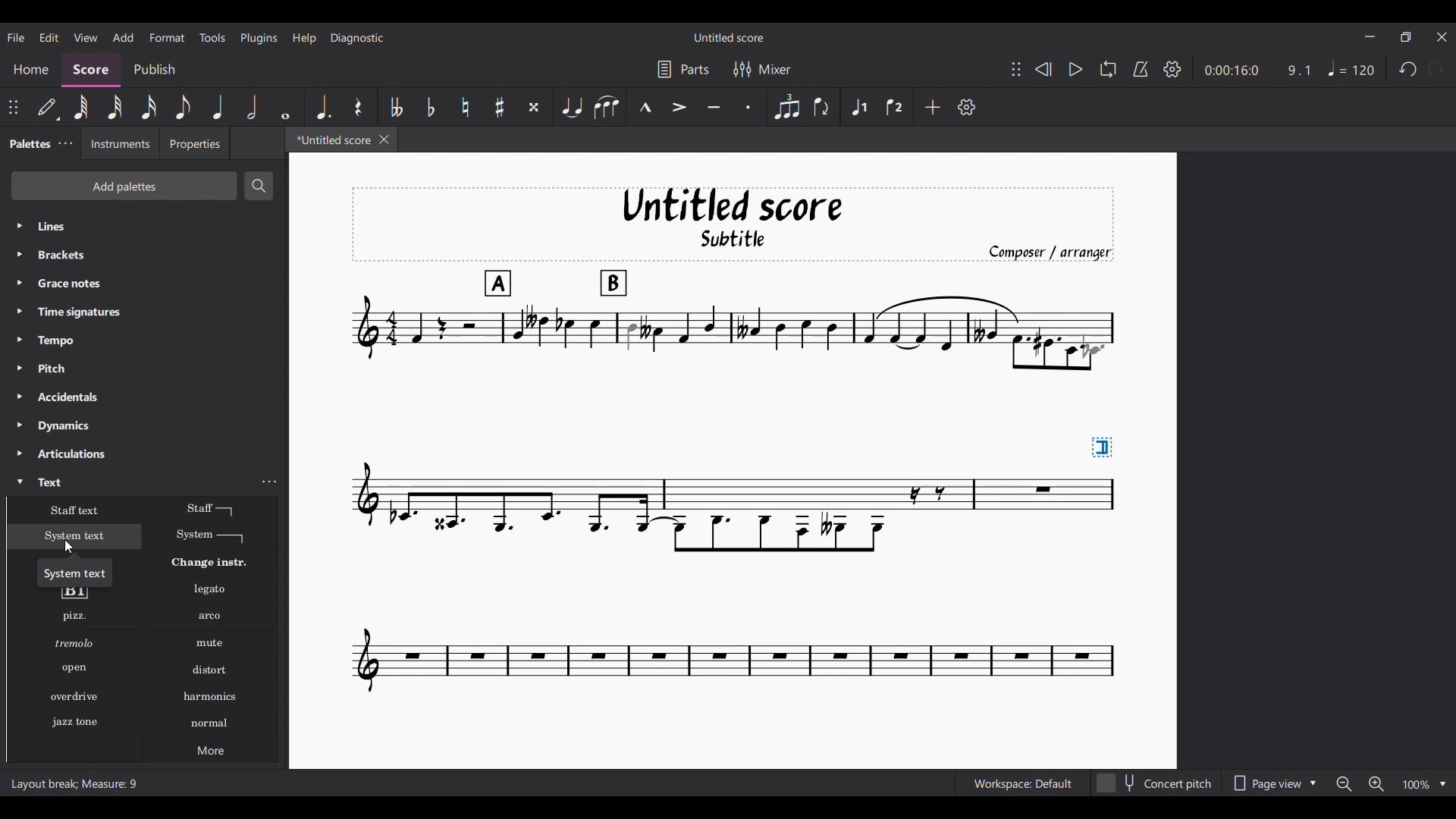 The image size is (1456, 819). I want to click on Help menu, so click(304, 38).